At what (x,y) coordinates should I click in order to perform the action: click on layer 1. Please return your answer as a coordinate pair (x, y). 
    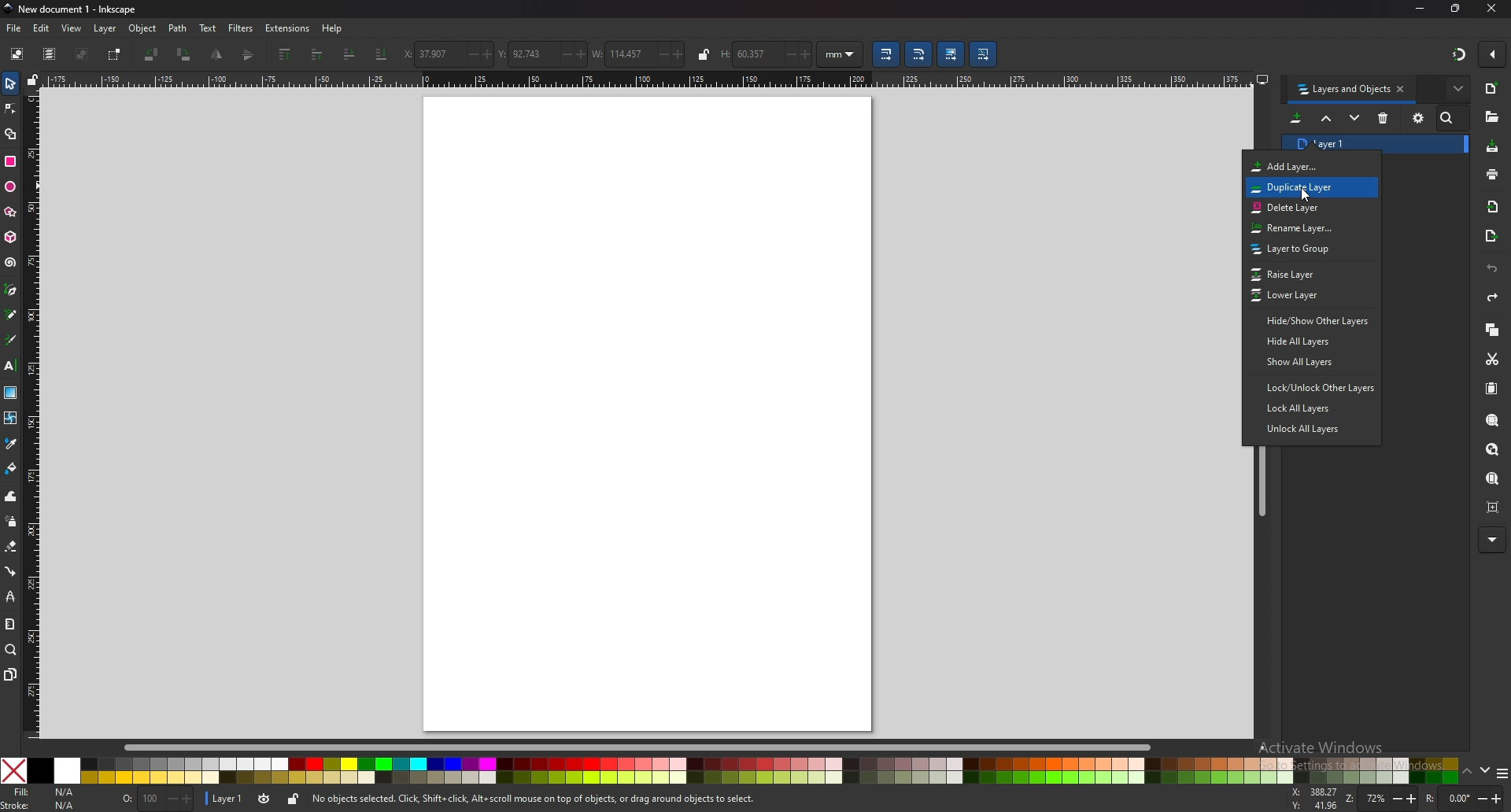
    Looking at the image, I should click on (1328, 144).